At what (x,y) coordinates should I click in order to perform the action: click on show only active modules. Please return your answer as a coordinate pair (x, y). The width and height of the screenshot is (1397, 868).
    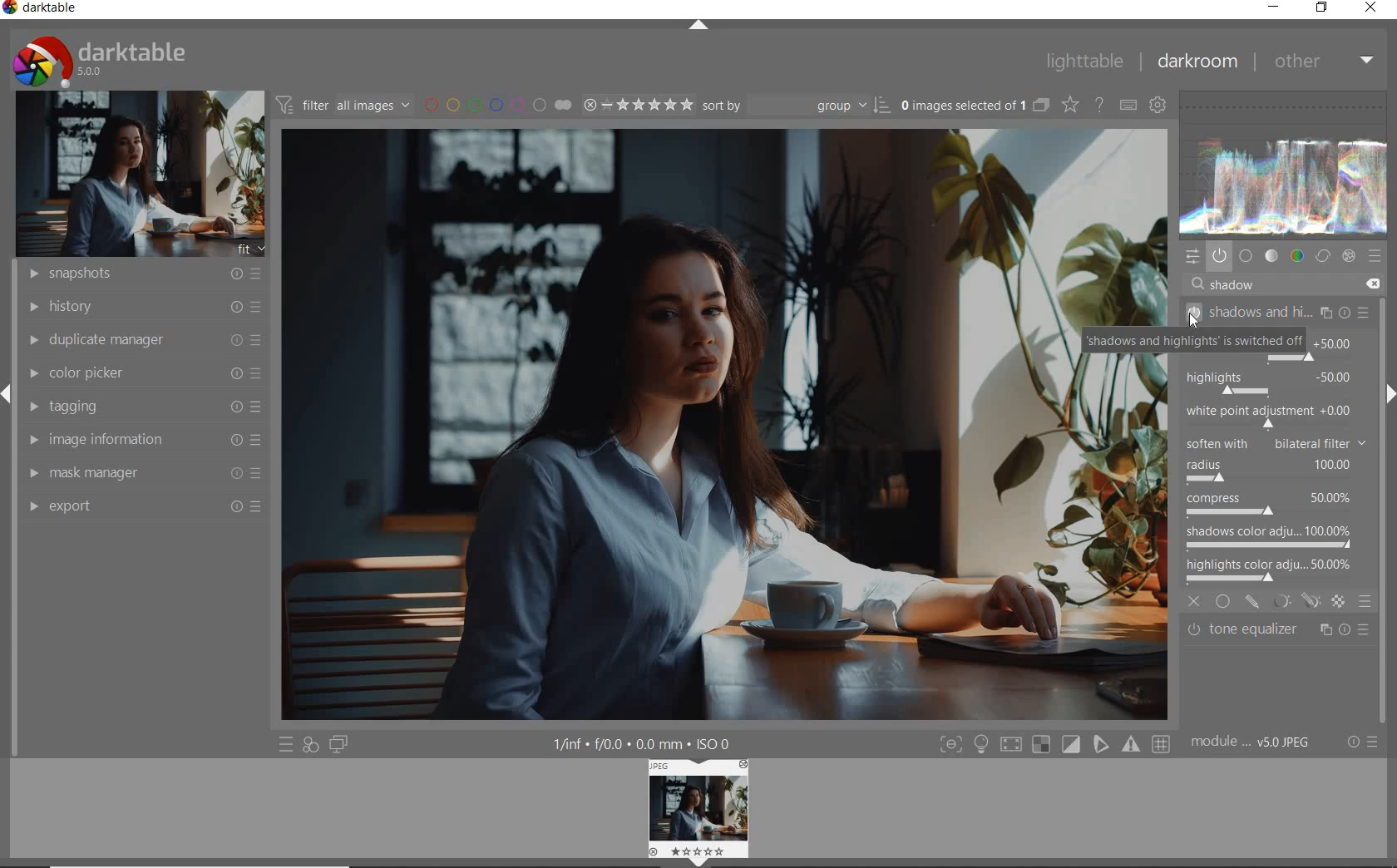
    Looking at the image, I should click on (1220, 255).